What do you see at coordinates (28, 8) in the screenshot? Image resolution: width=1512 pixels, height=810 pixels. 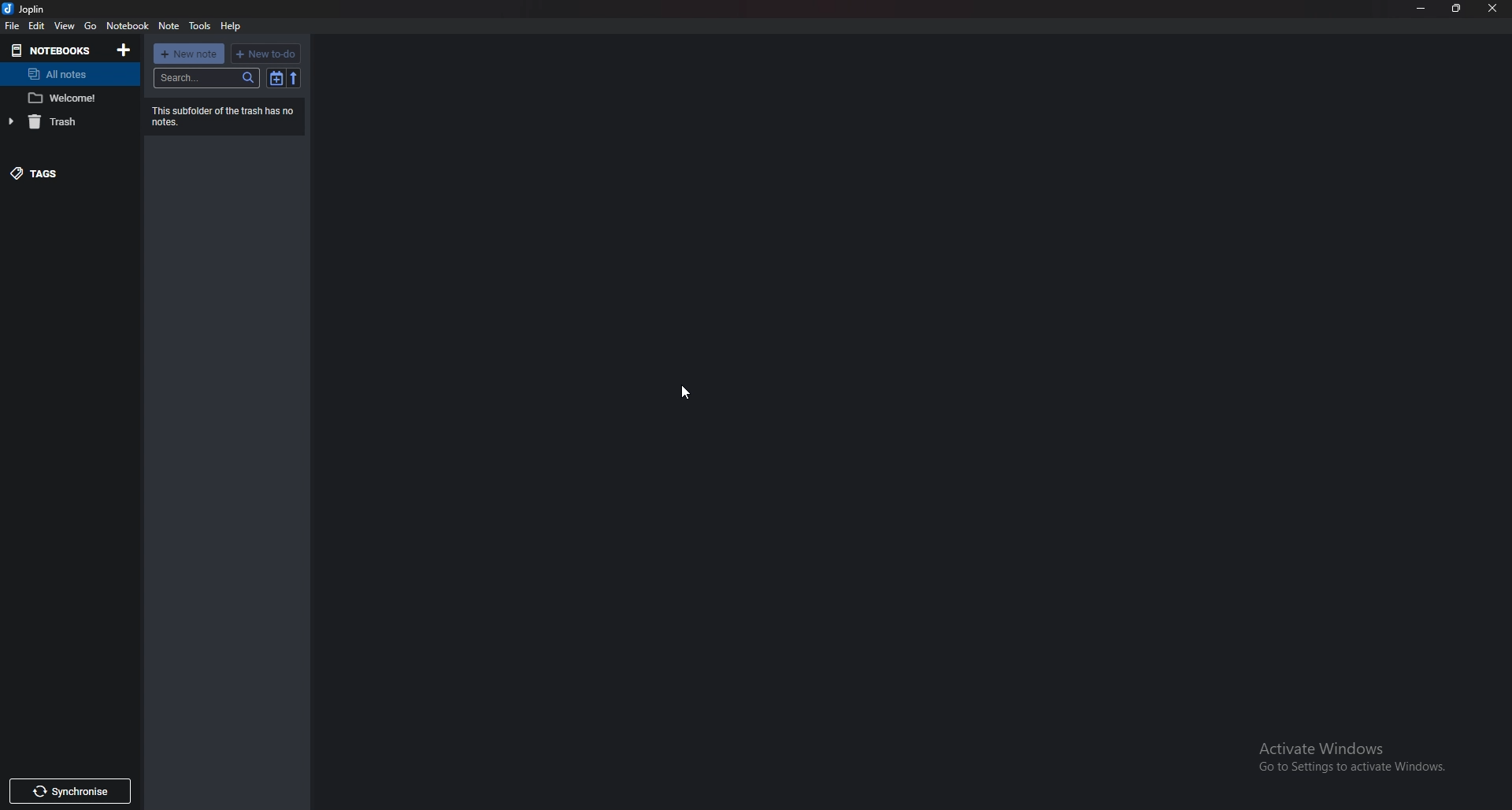 I see `joplin` at bounding box center [28, 8].